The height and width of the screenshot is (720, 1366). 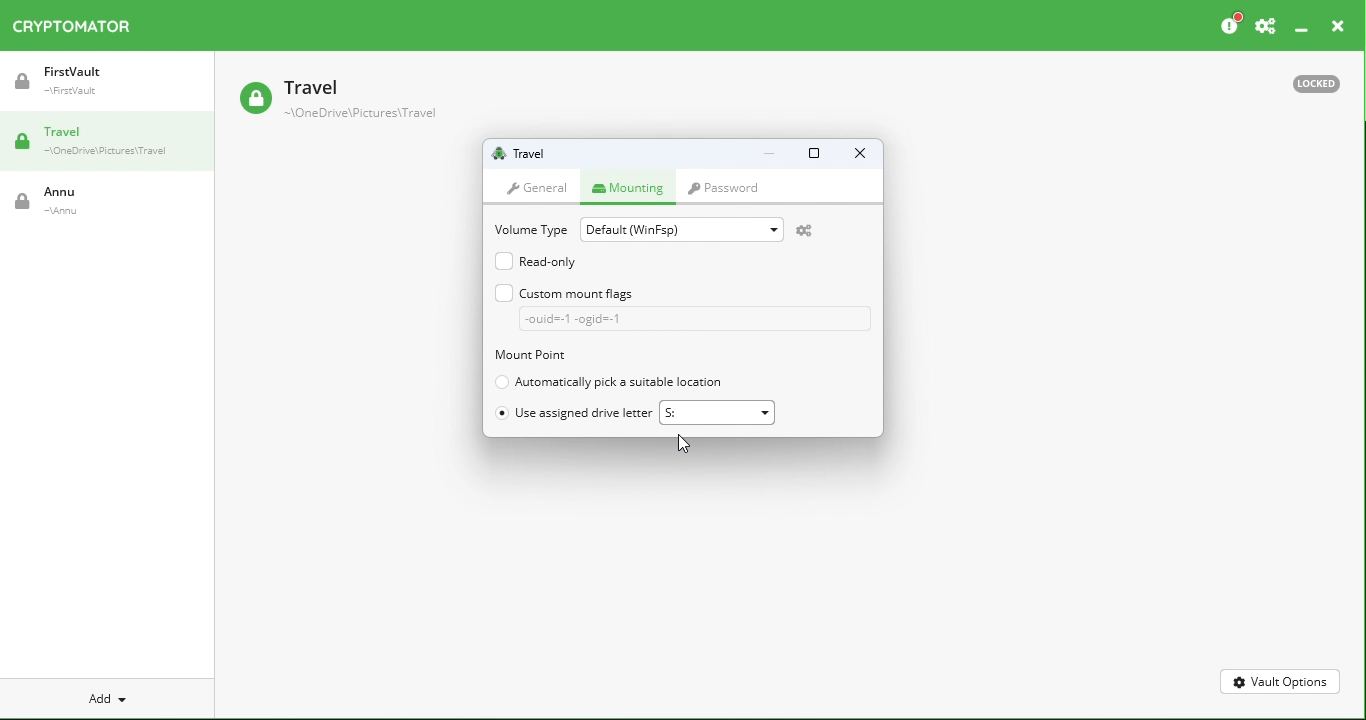 I want to click on Maximize, so click(x=812, y=156).